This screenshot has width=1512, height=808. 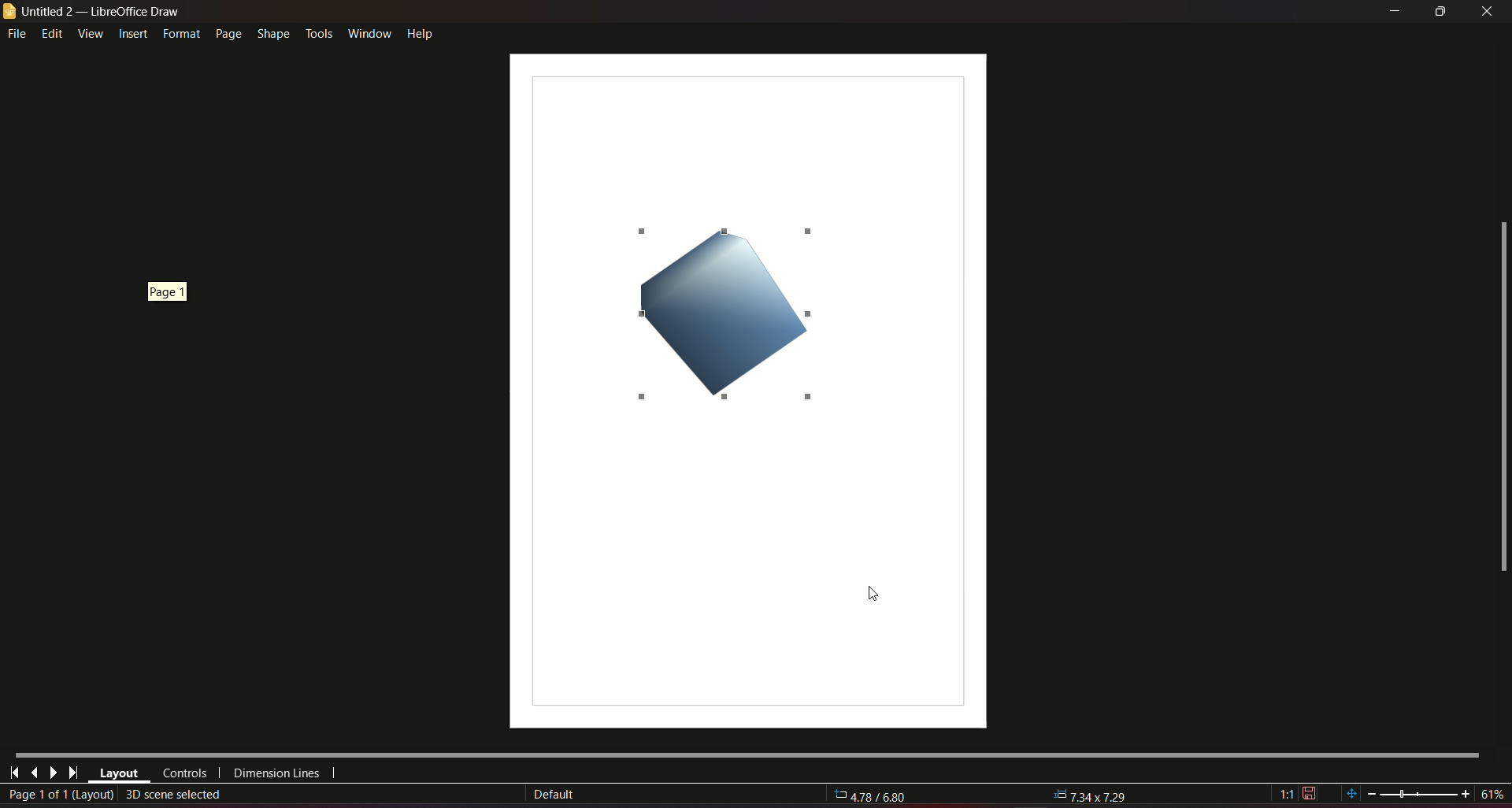 What do you see at coordinates (746, 753) in the screenshot?
I see `Horizontal scroll bar` at bounding box center [746, 753].